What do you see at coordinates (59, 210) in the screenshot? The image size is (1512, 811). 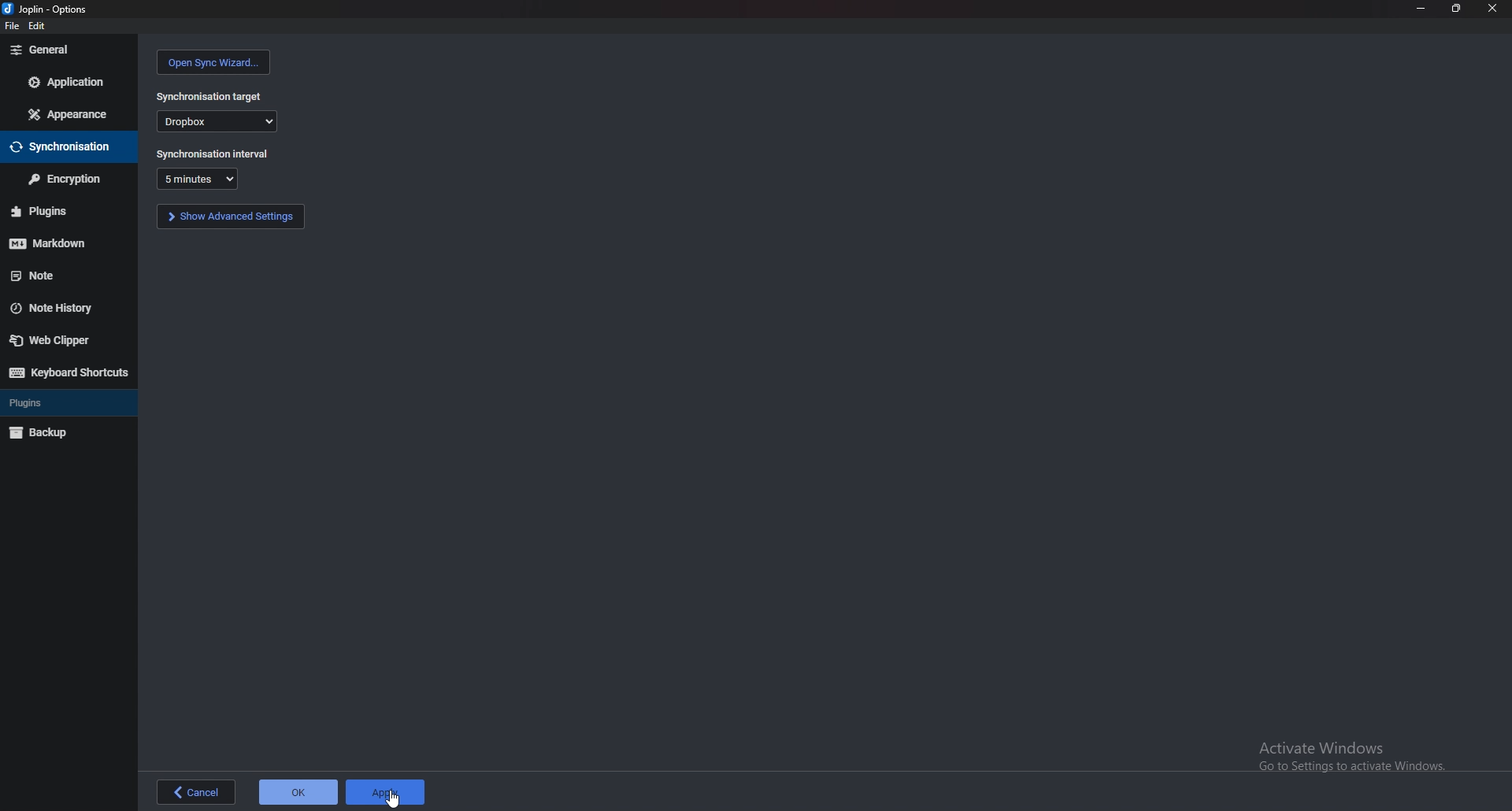 I see `plugins` at bounding box center [59, 210].